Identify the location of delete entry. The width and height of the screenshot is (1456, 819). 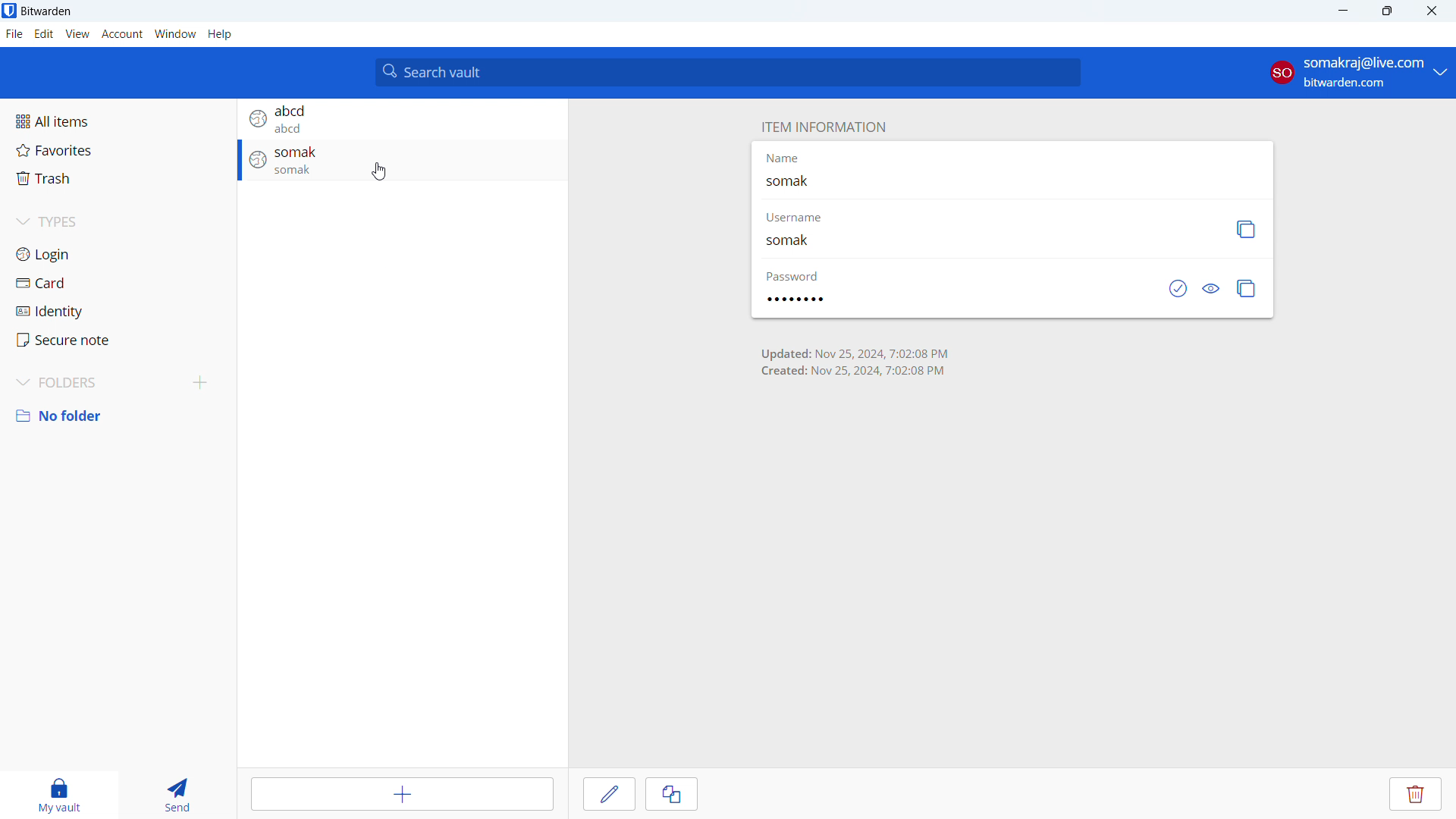
(1415, 793).